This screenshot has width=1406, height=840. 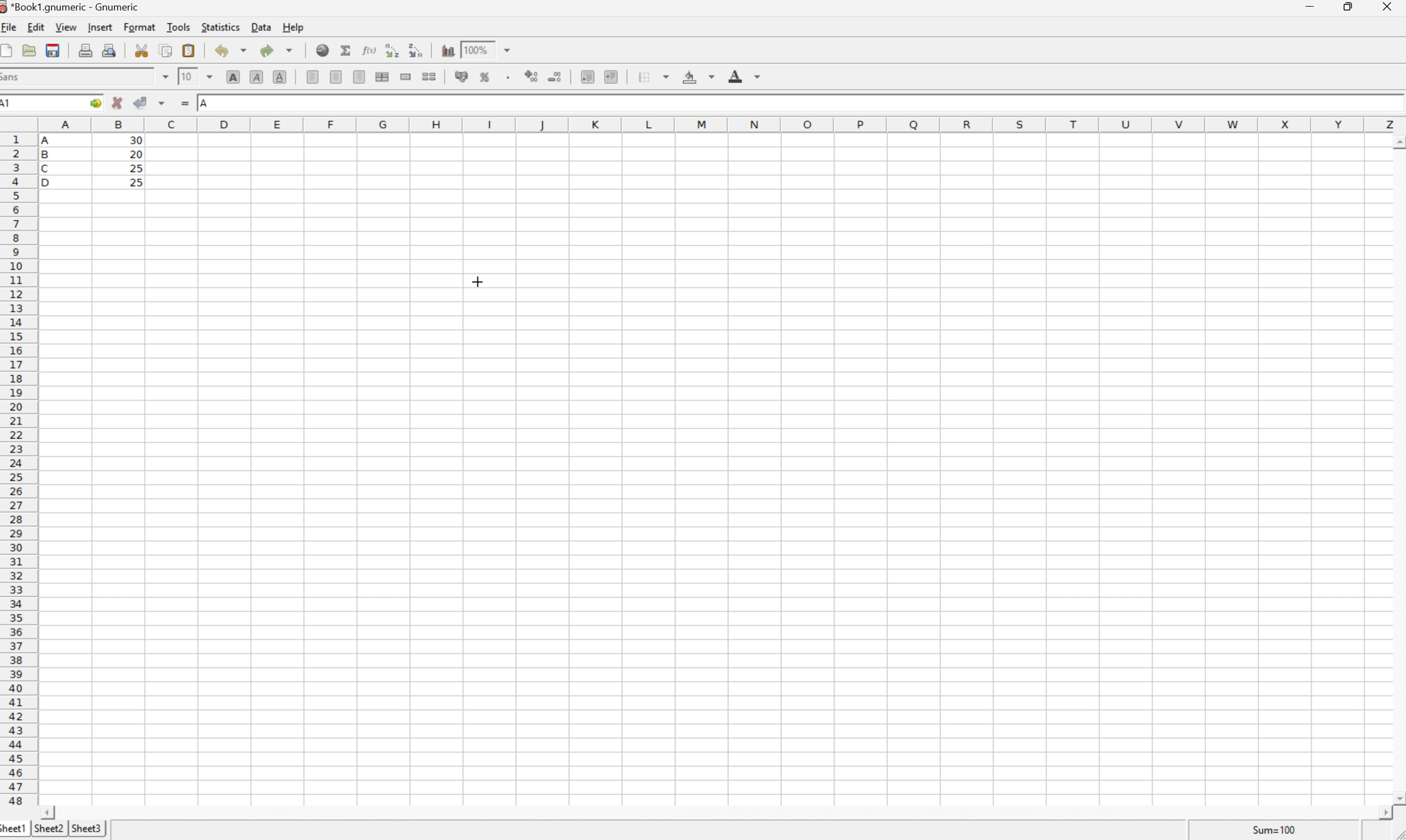 What do you see at coordinates (476, 280) in the screenshot?
I see `Cursor` at bounding box center [476, 280].